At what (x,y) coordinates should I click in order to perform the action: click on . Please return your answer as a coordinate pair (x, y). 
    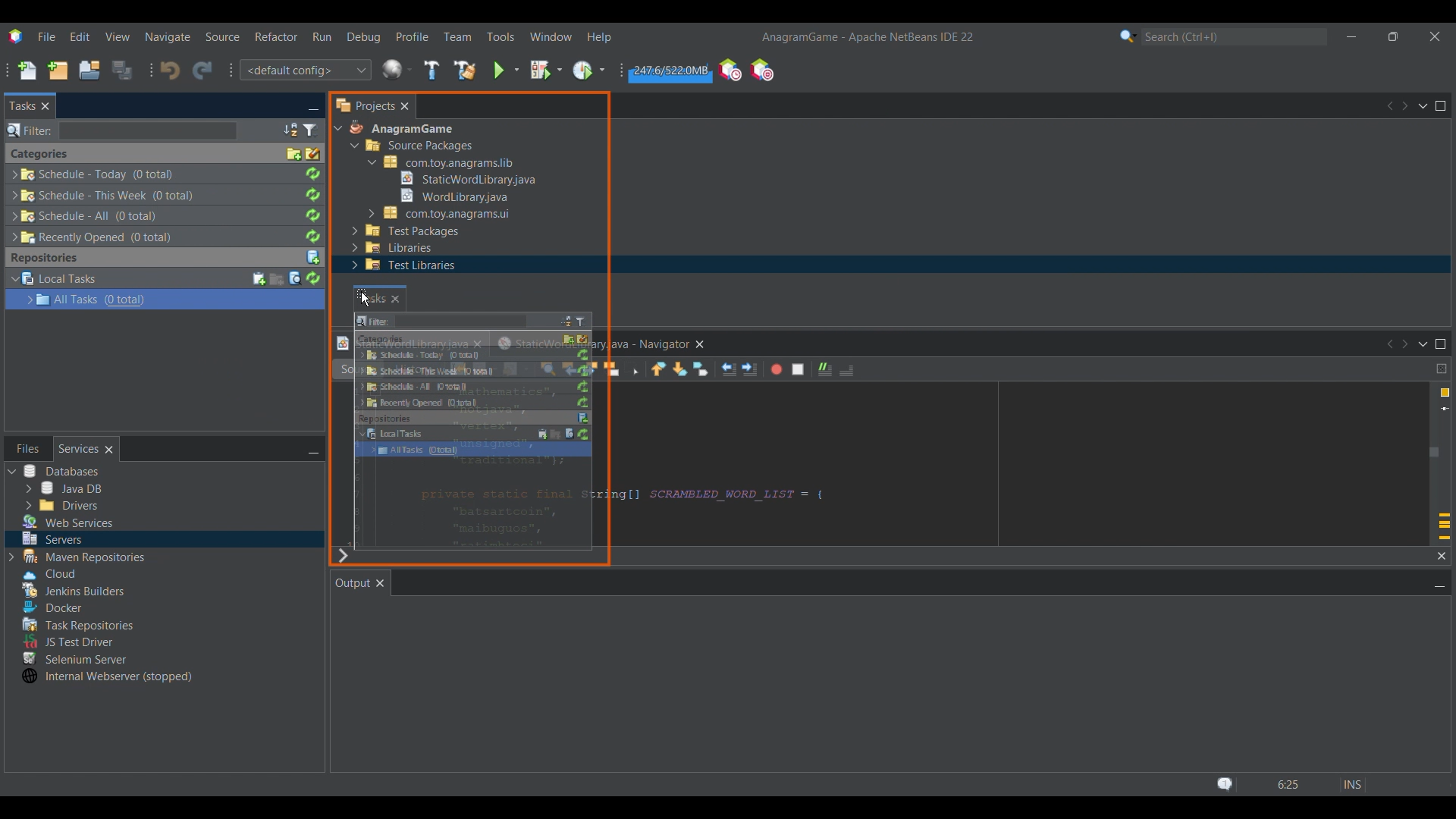
    Looking at the image, I should click on (472, 383).